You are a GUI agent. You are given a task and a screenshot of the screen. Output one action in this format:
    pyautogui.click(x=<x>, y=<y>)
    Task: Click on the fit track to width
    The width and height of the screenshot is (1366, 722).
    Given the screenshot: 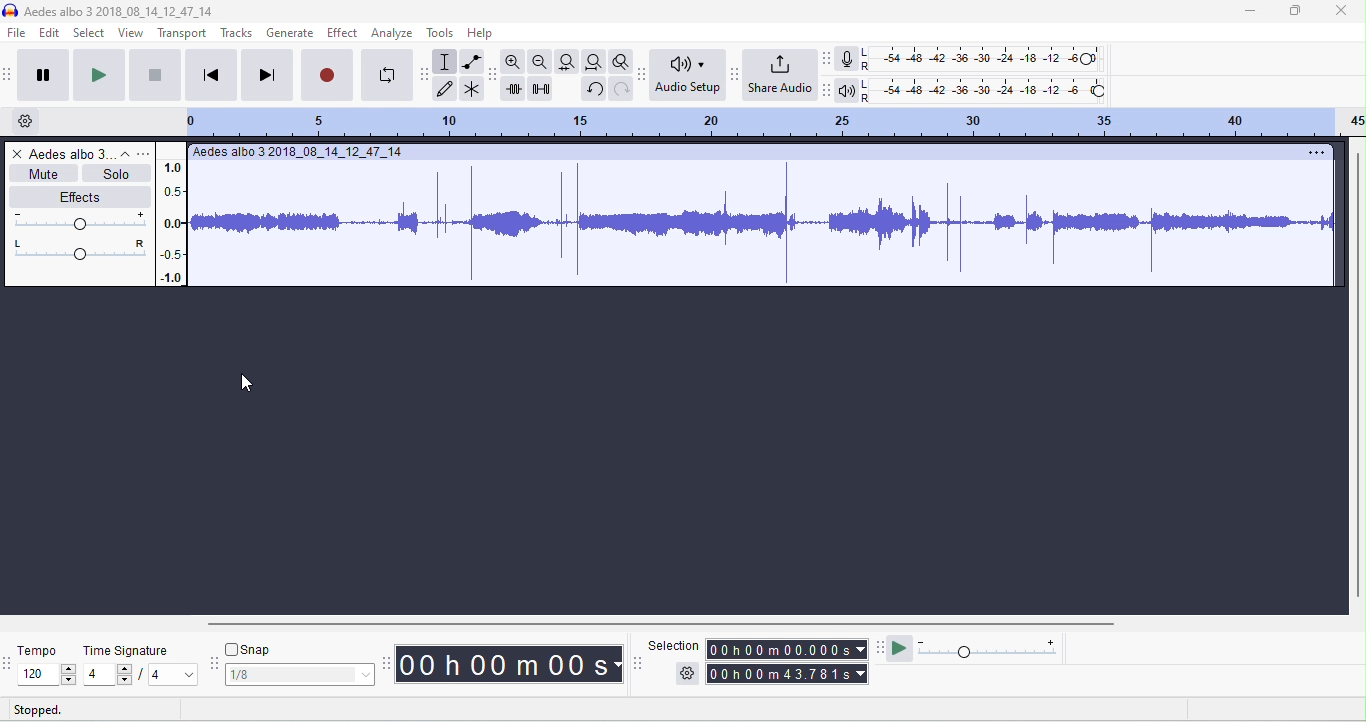 What is the action you would take?
    pyautogui.click(x=566, y=61)
    